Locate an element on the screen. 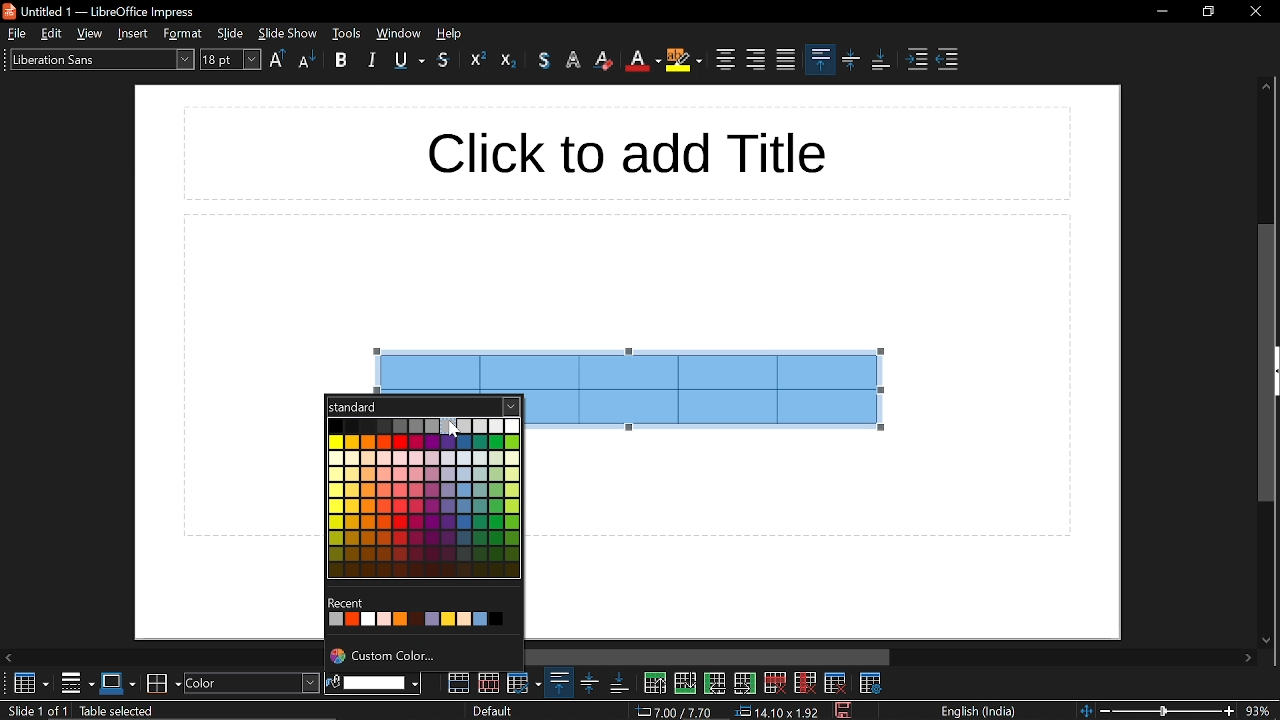 The image size is (1280, 720). Click to add Title is located at coordinates (627, 156).